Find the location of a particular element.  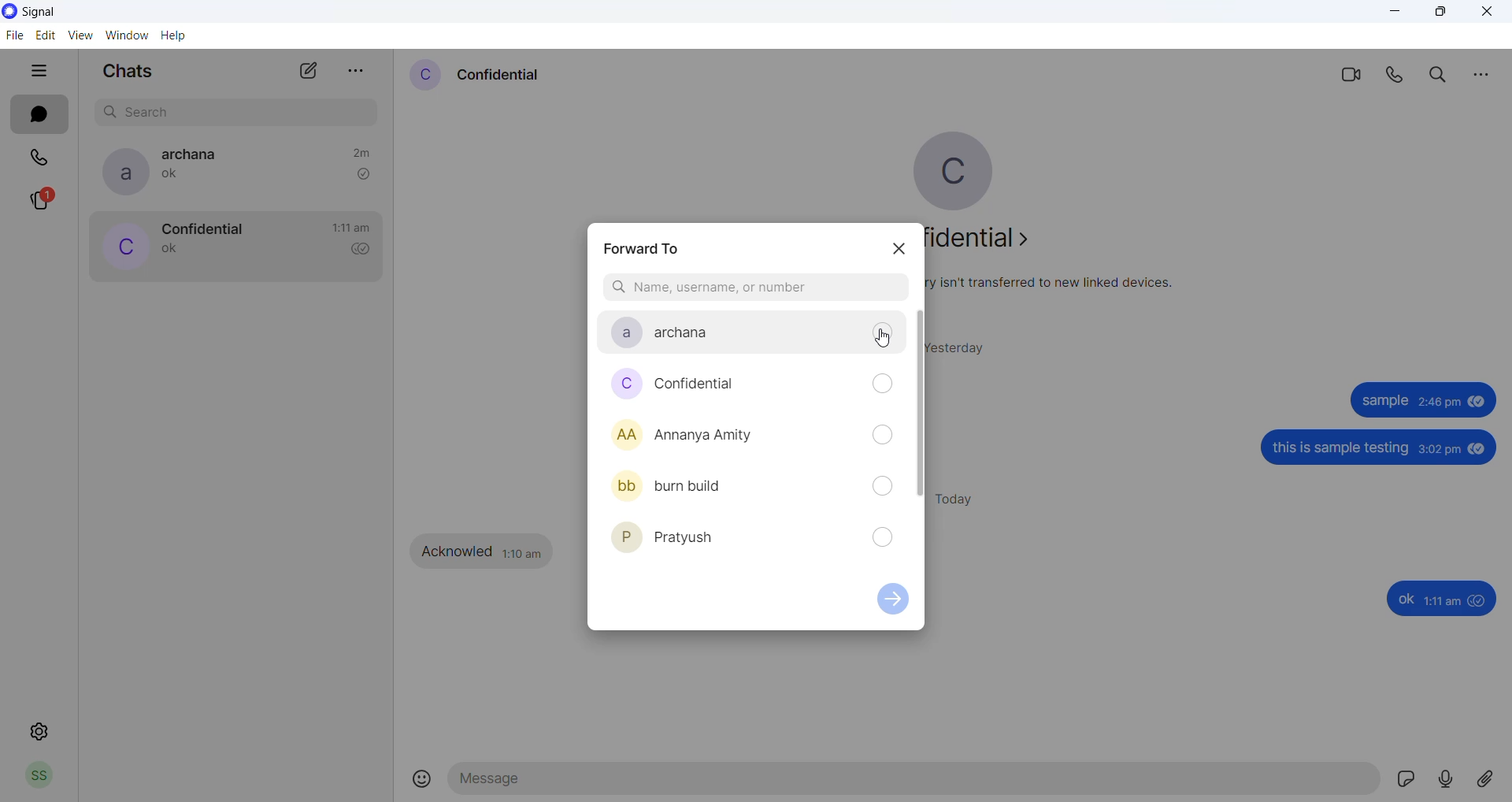

stories is located at coordinates (50, 201).